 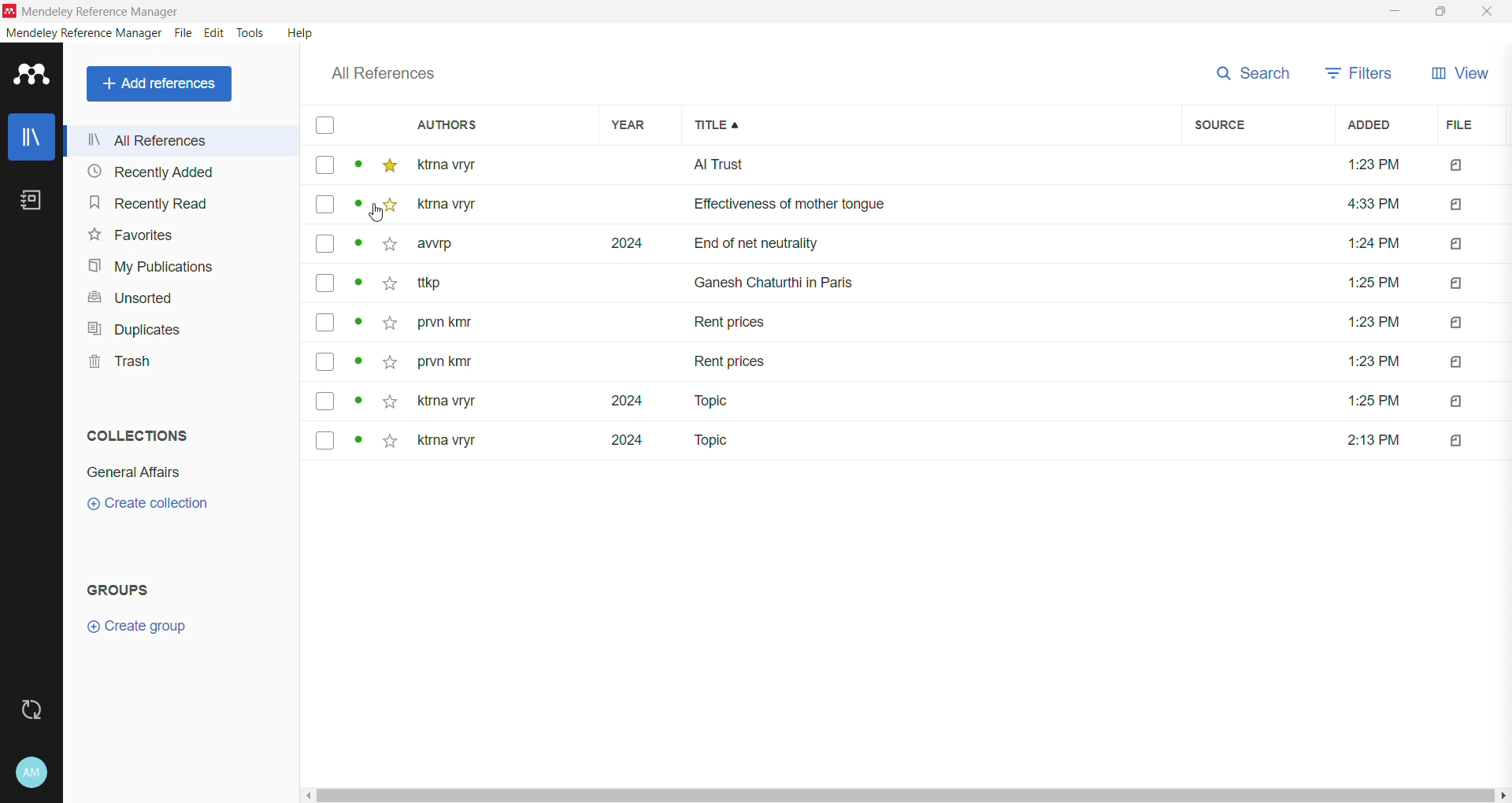 I want to click on star, so click(x=388, y=358).